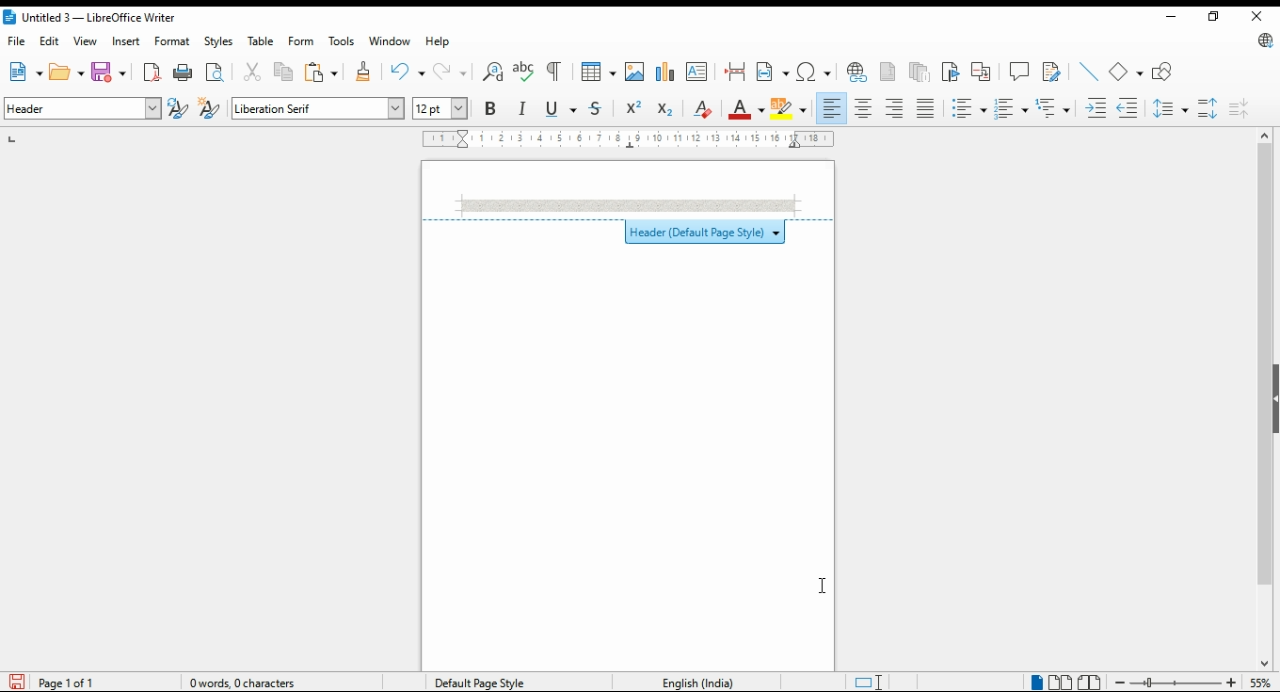 The image size is (1280, 692). Describe the element at coordinates (1054, 70) in the screenshot. I see `show tracker changes functions` at that location.